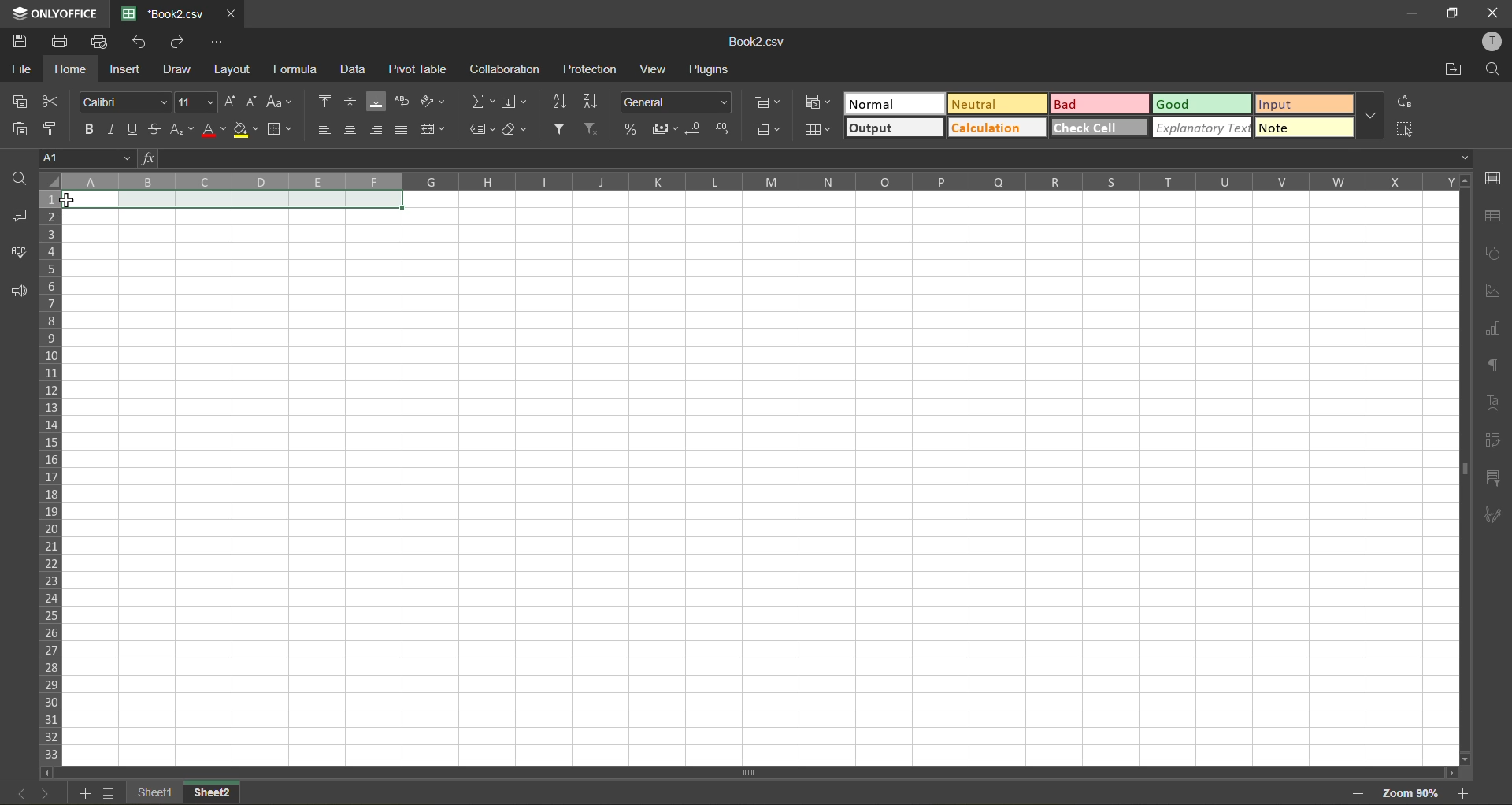 This screenshot has height=805, width=1512. Describe the element at coordinates (228, 12) in the screenshot. I see `close tab` at that location.